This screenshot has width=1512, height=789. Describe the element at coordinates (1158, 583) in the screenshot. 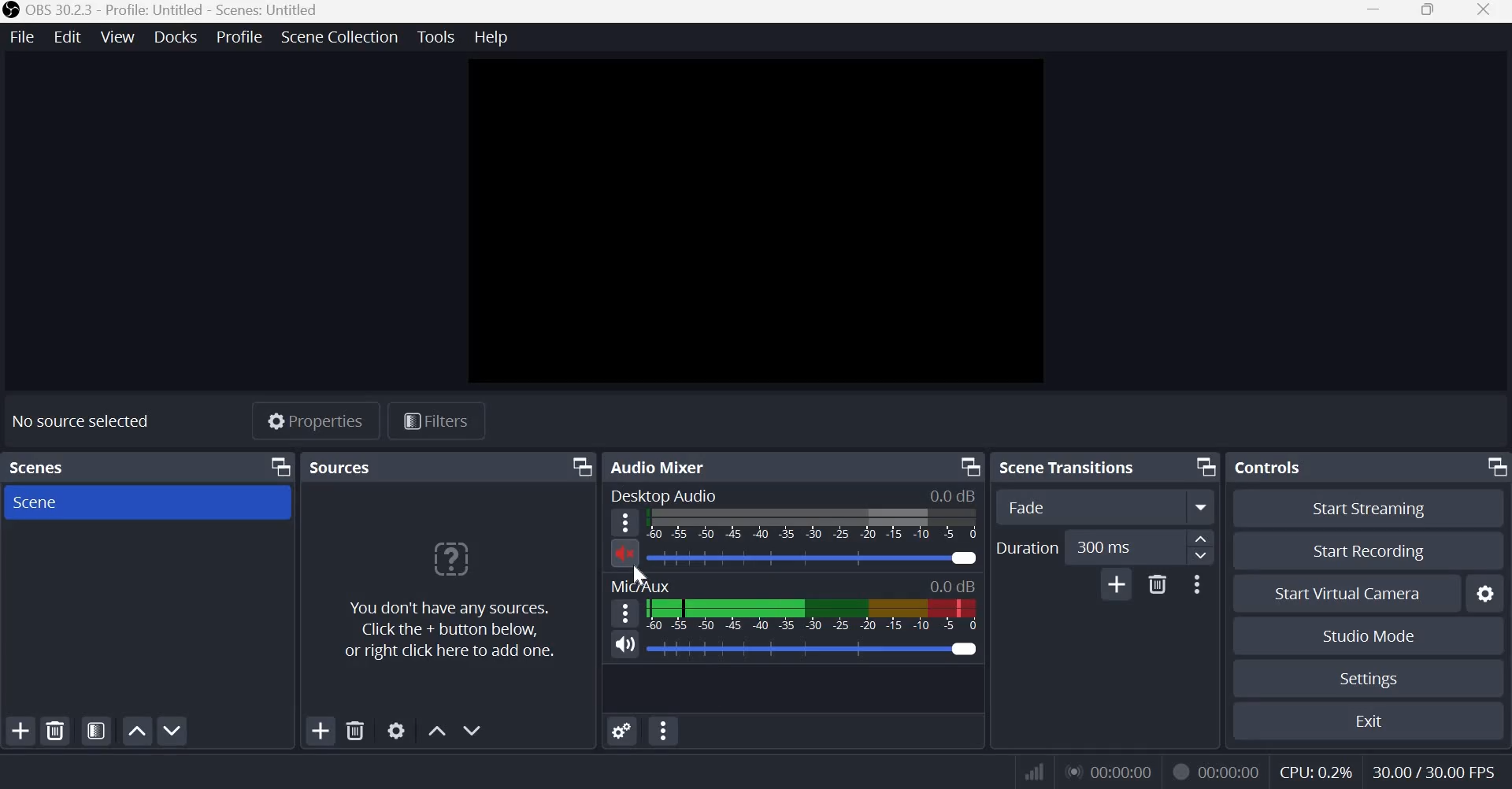

I see `Delete Transition` at that location.